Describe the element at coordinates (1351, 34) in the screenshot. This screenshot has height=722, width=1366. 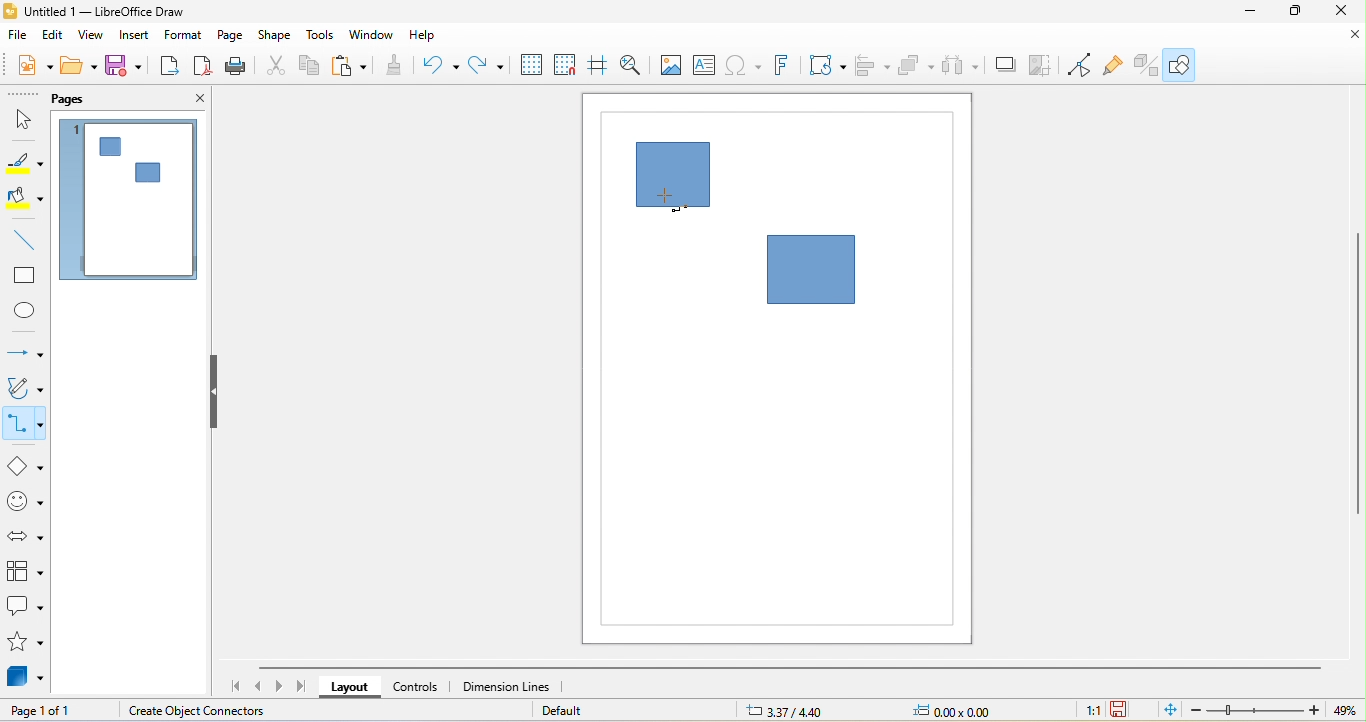
I see `close` at that location.